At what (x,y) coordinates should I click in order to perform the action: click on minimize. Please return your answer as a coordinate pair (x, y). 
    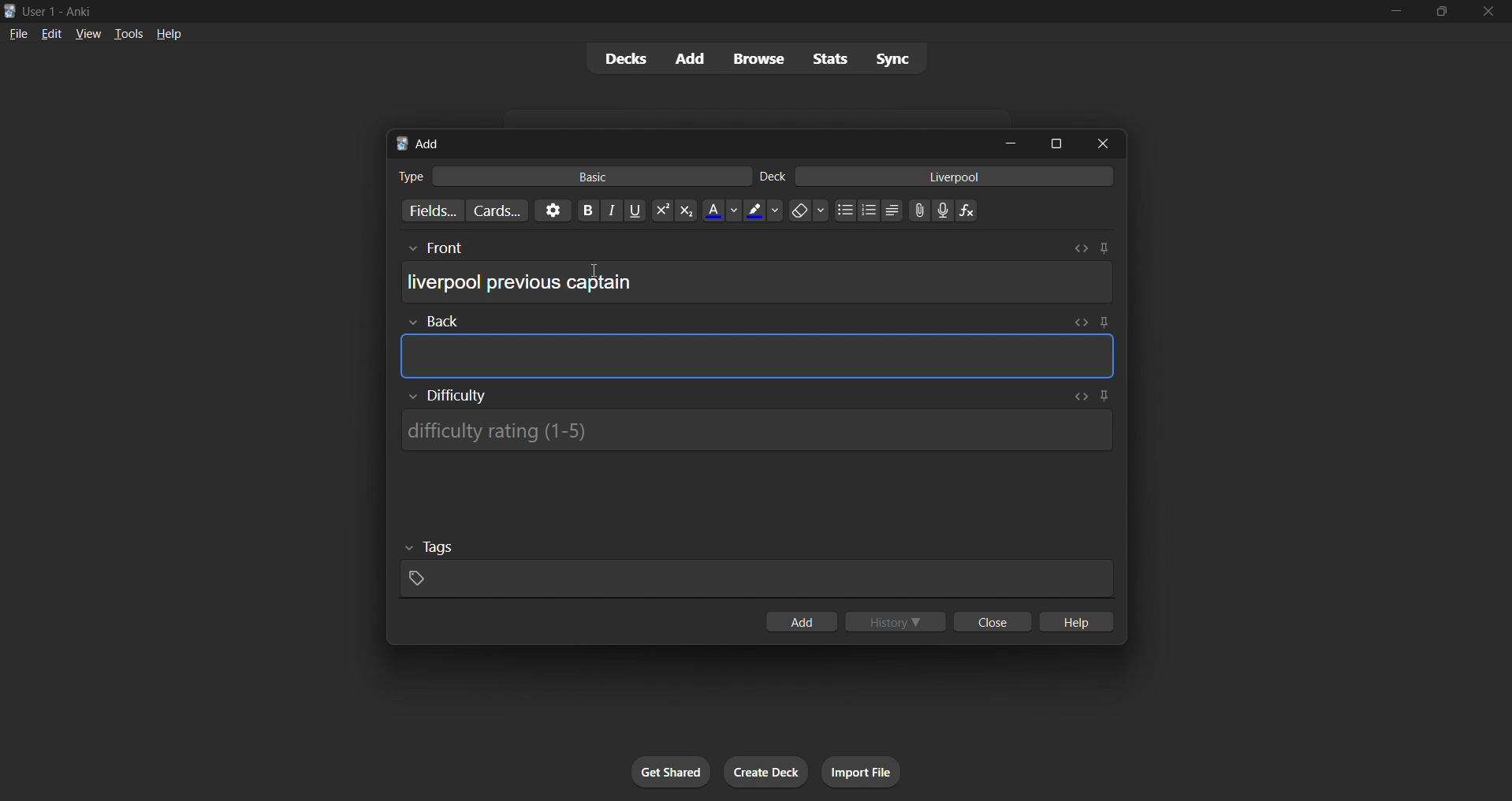
    Looking at the image, I should click on (1393, 13).